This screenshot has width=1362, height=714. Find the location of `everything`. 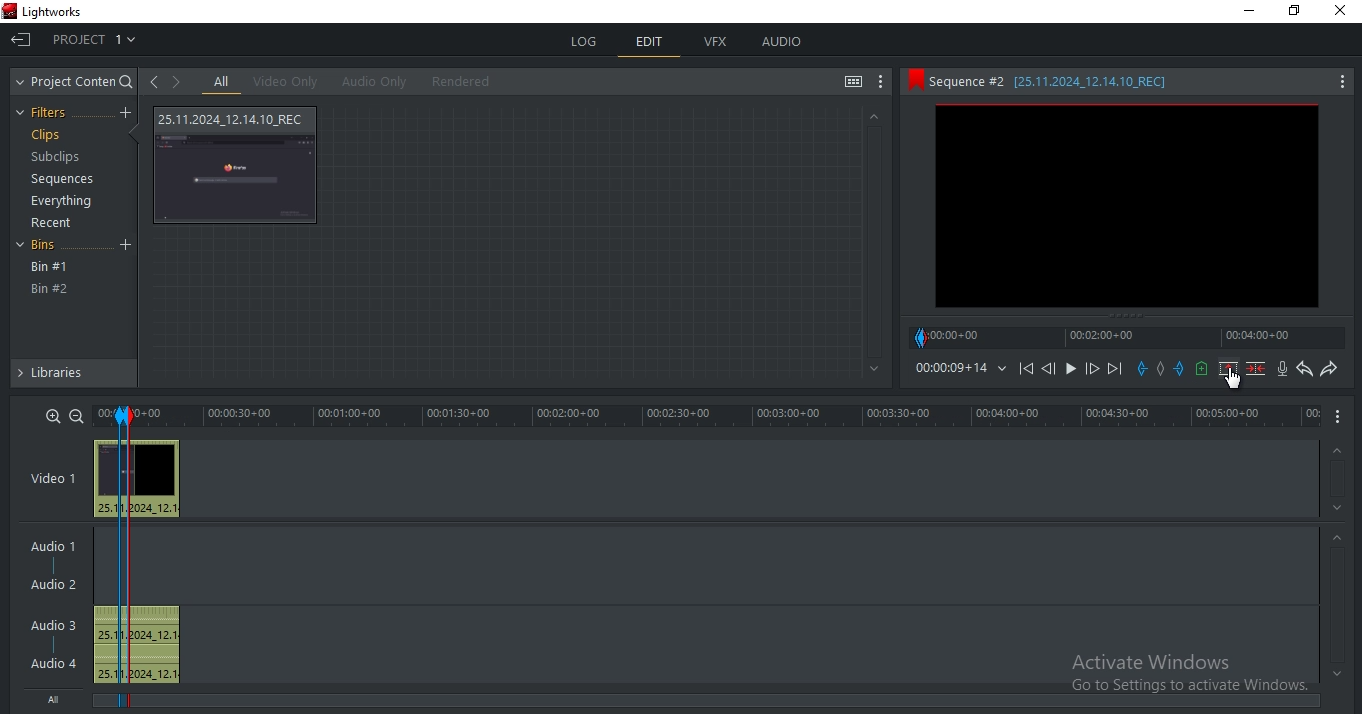

everything is located at coordinates (65, 200).